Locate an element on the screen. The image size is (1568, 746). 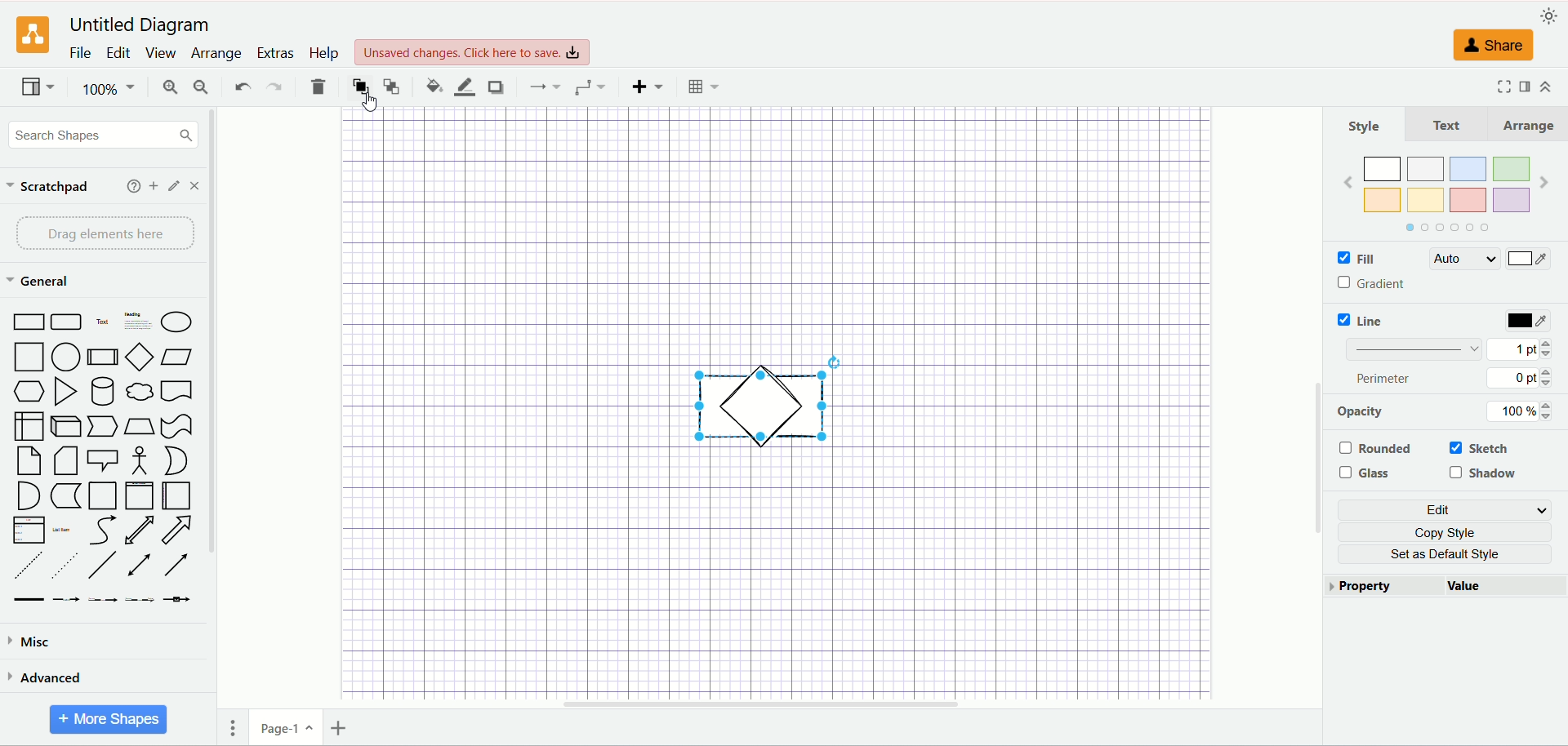
AND is located at coordinates (28, 496).